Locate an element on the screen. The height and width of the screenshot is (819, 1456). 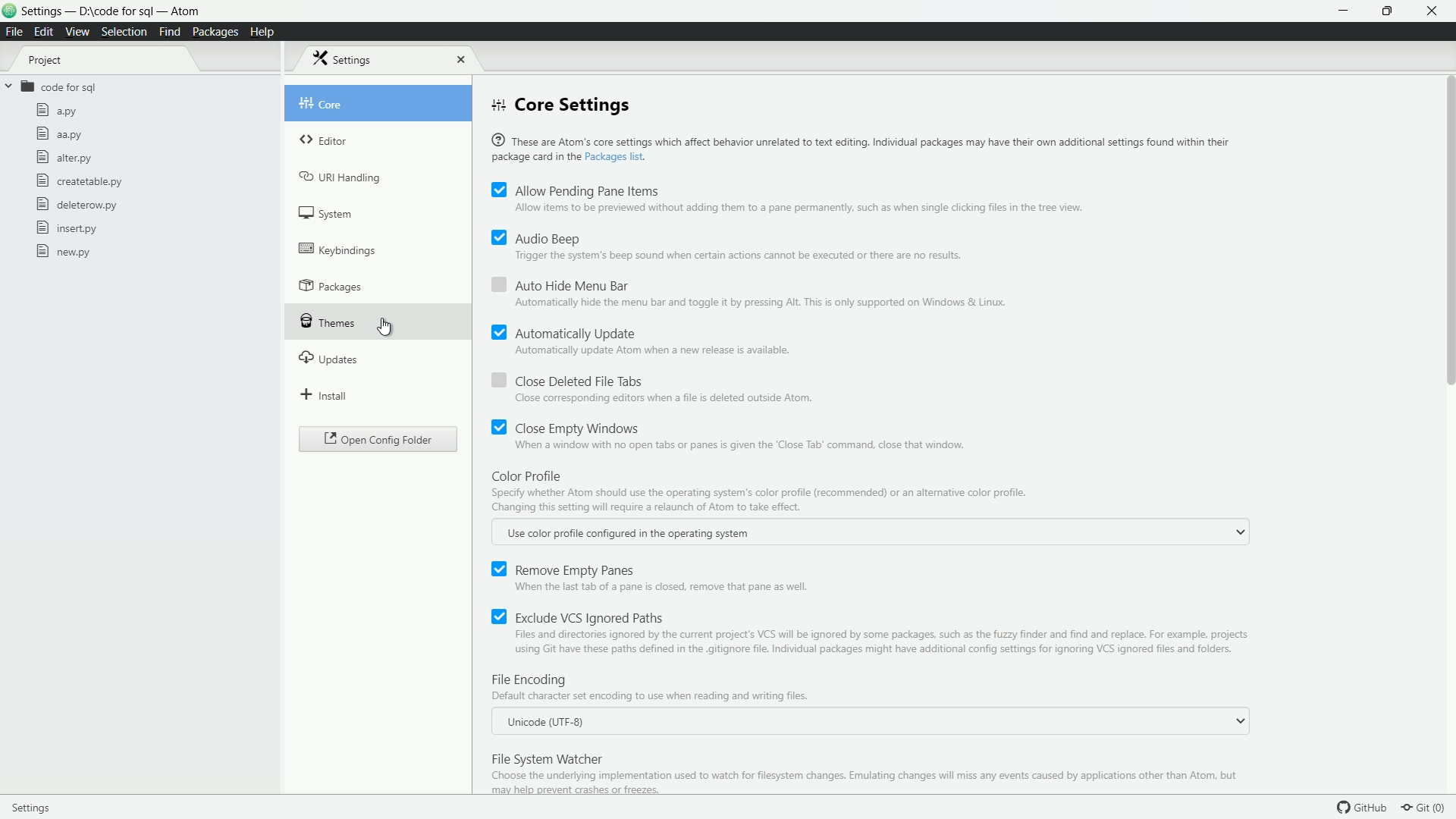
allow pending pane items is located at coordinates (576, 189).